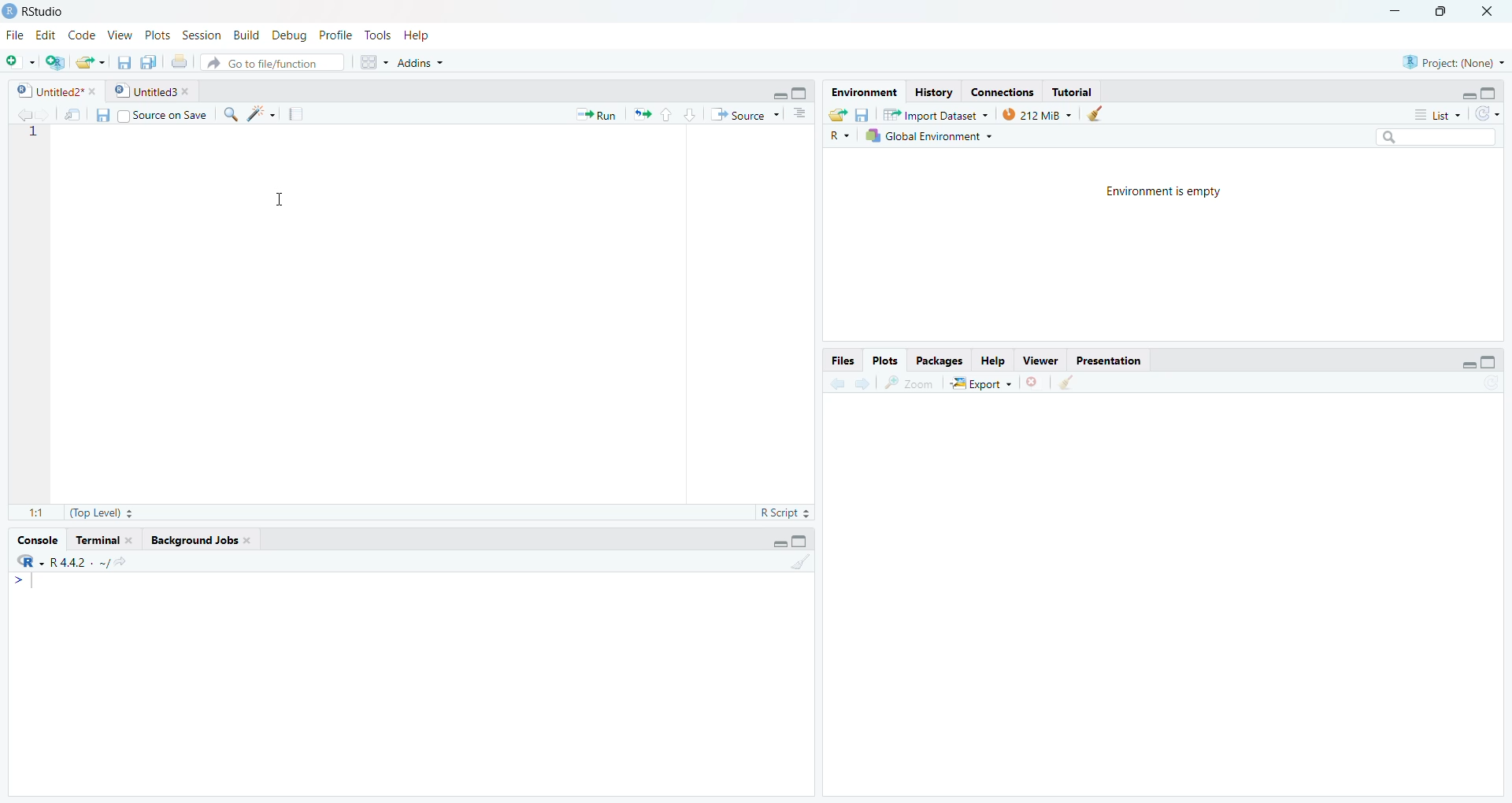  I want to click on previous, so click(20, 113).